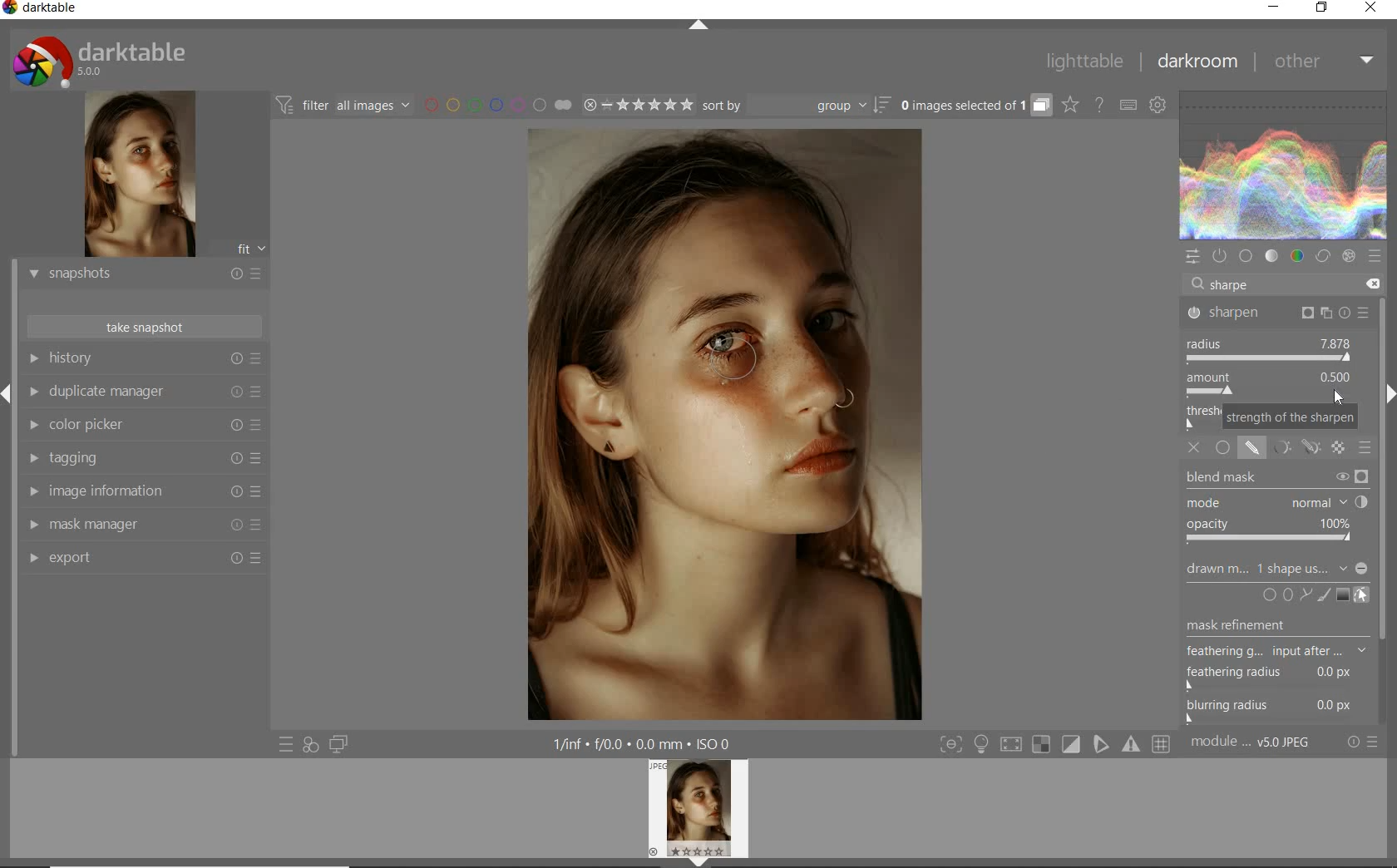 The image size is (1397, 868). I want to click on color, so click(1298, 258).